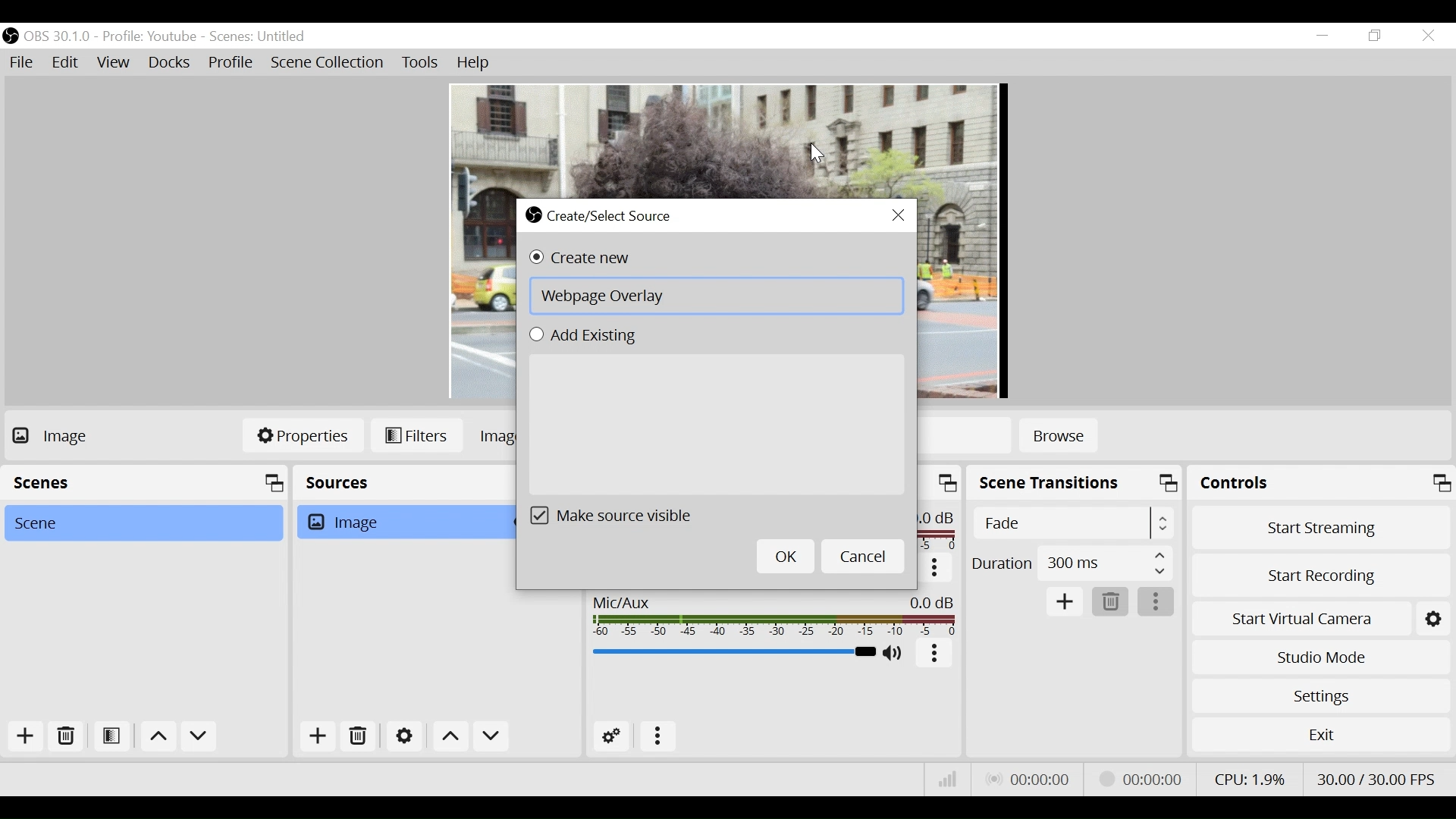 The image size is (1456, 819). What do you see at coordinates (898, 653) in the screenshot?
I see `(un)mute` at bounding box center [898, 653].